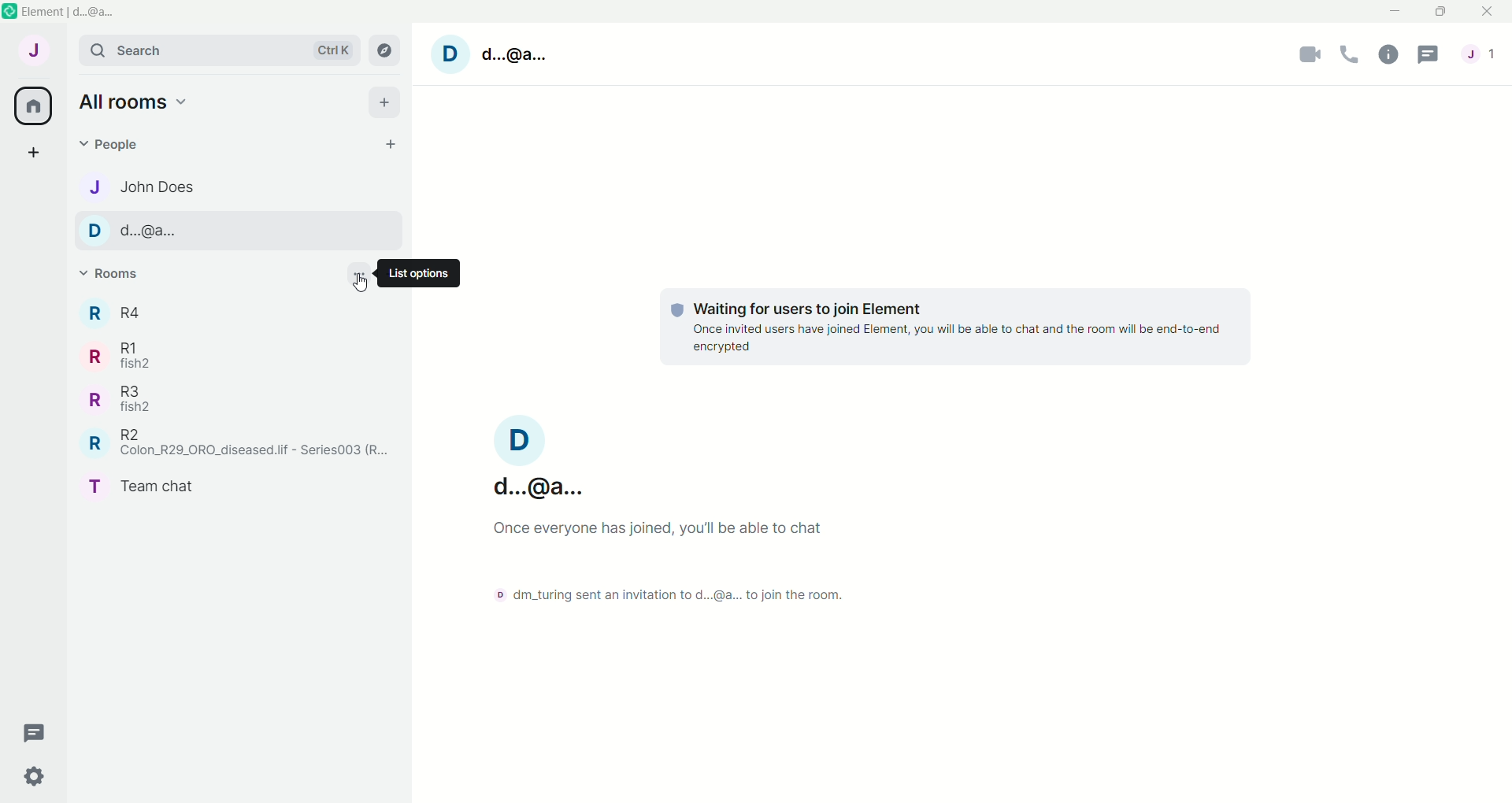 Image resolution: width=1512 pixels, height=803 pixels. Describe the element at coordinates (39, 50) in the screenshot. I see `User Menu` at that location.